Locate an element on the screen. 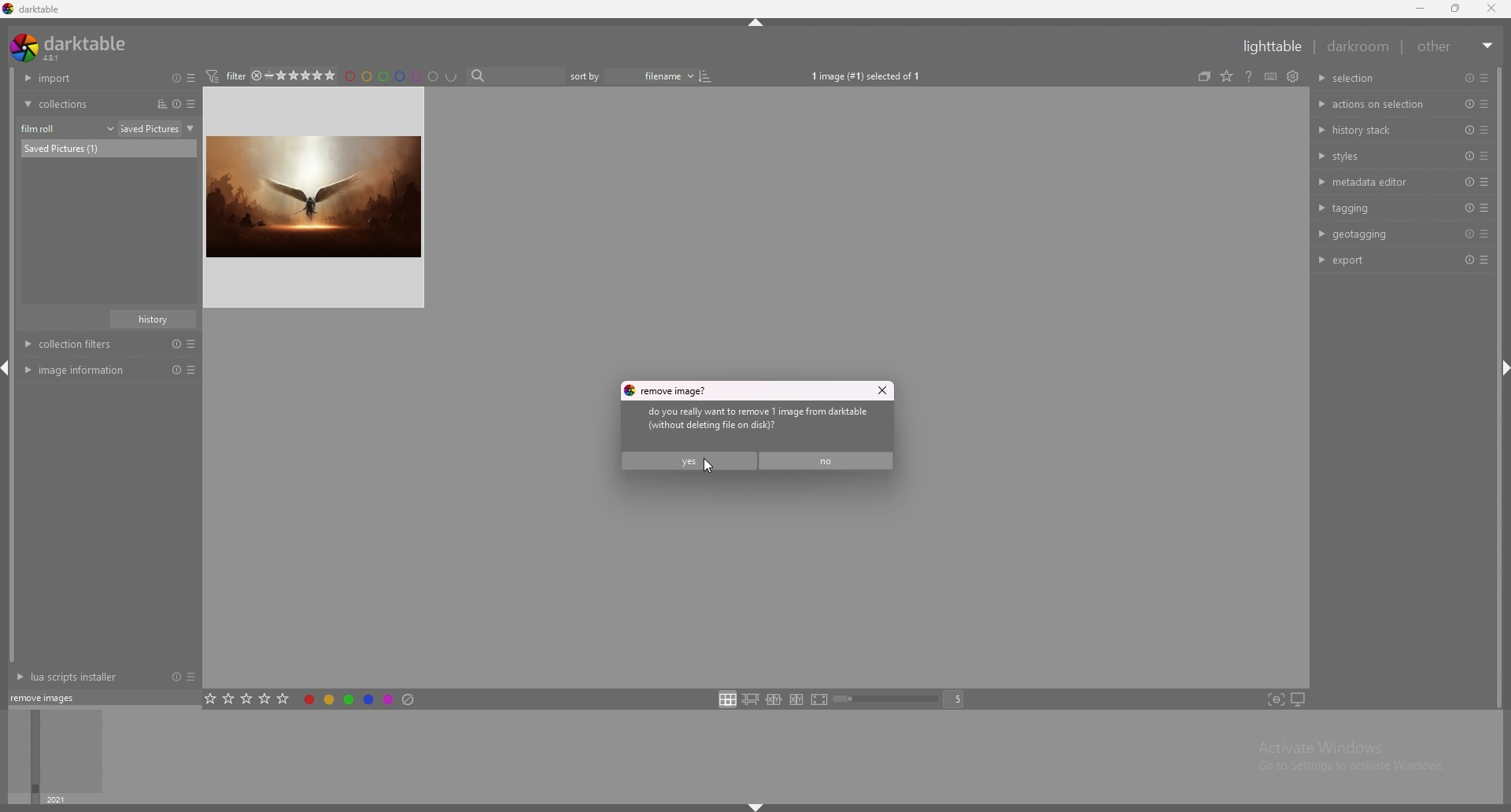 Image resolution: width=1511 pixels, height=812 pixels. sort bar is located at coordinates (590, 76).